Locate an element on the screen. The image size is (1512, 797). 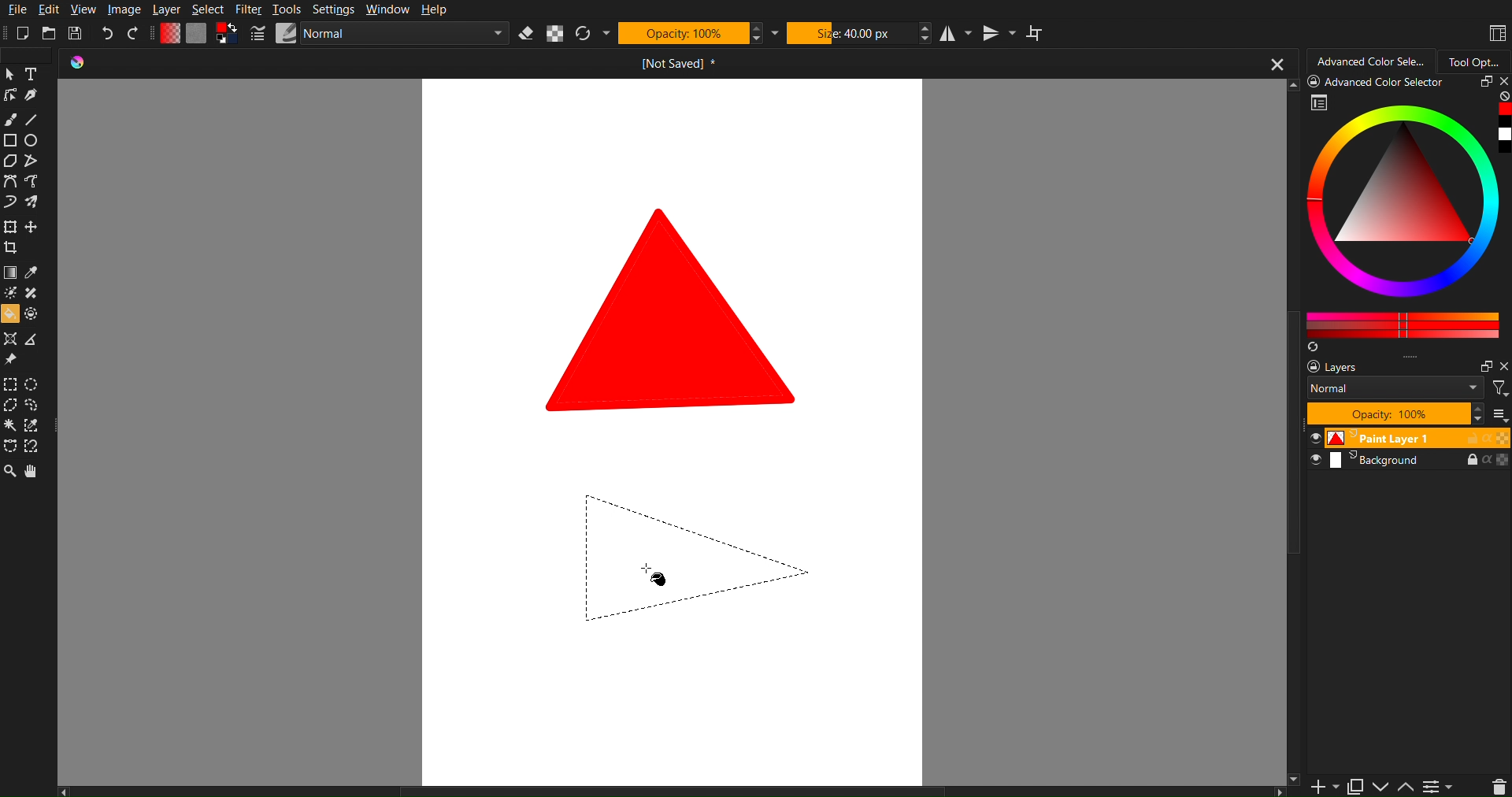
Alpha is located at coordinates (555, 34).